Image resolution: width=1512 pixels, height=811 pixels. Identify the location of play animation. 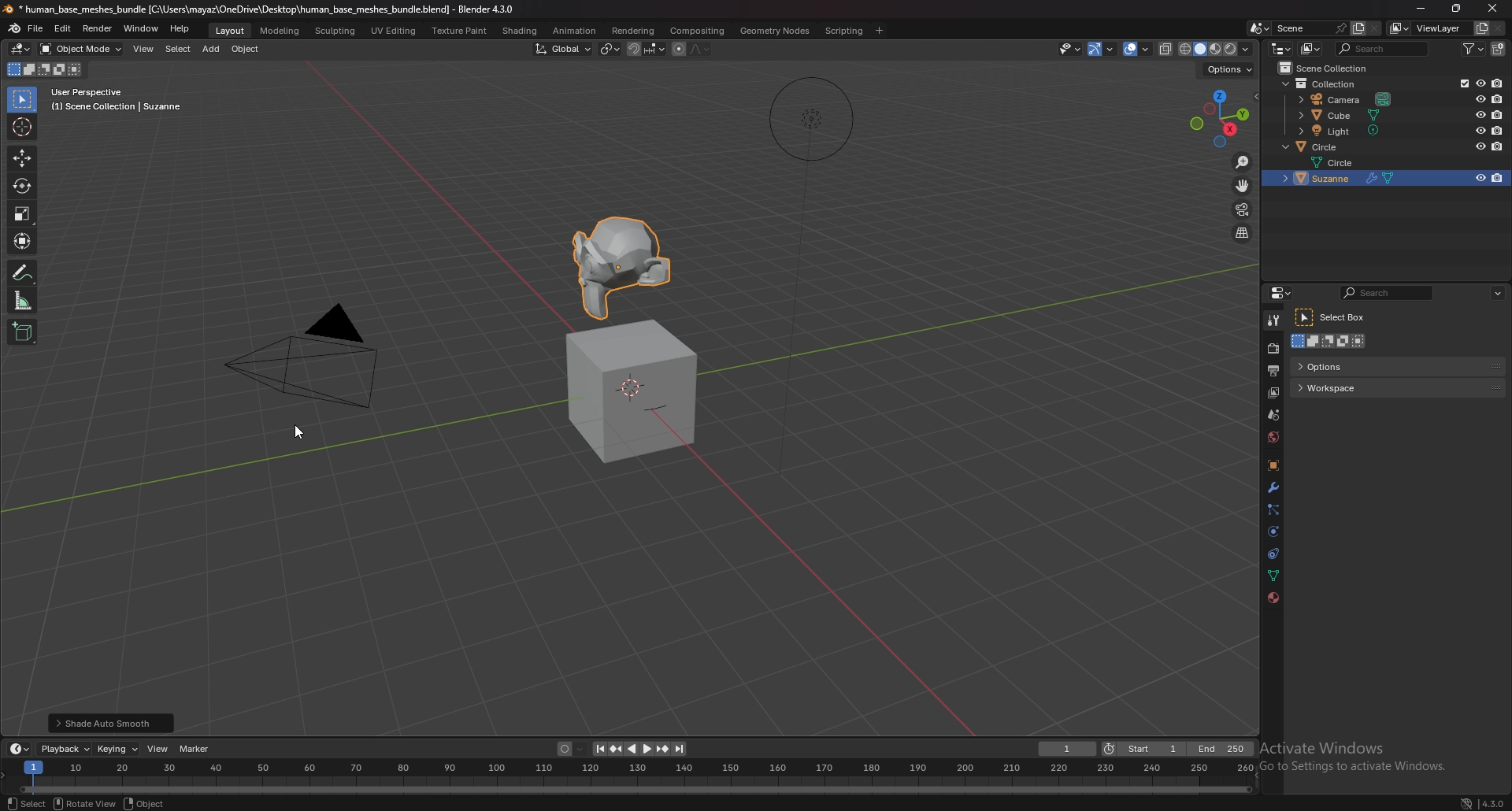
(639, 749).